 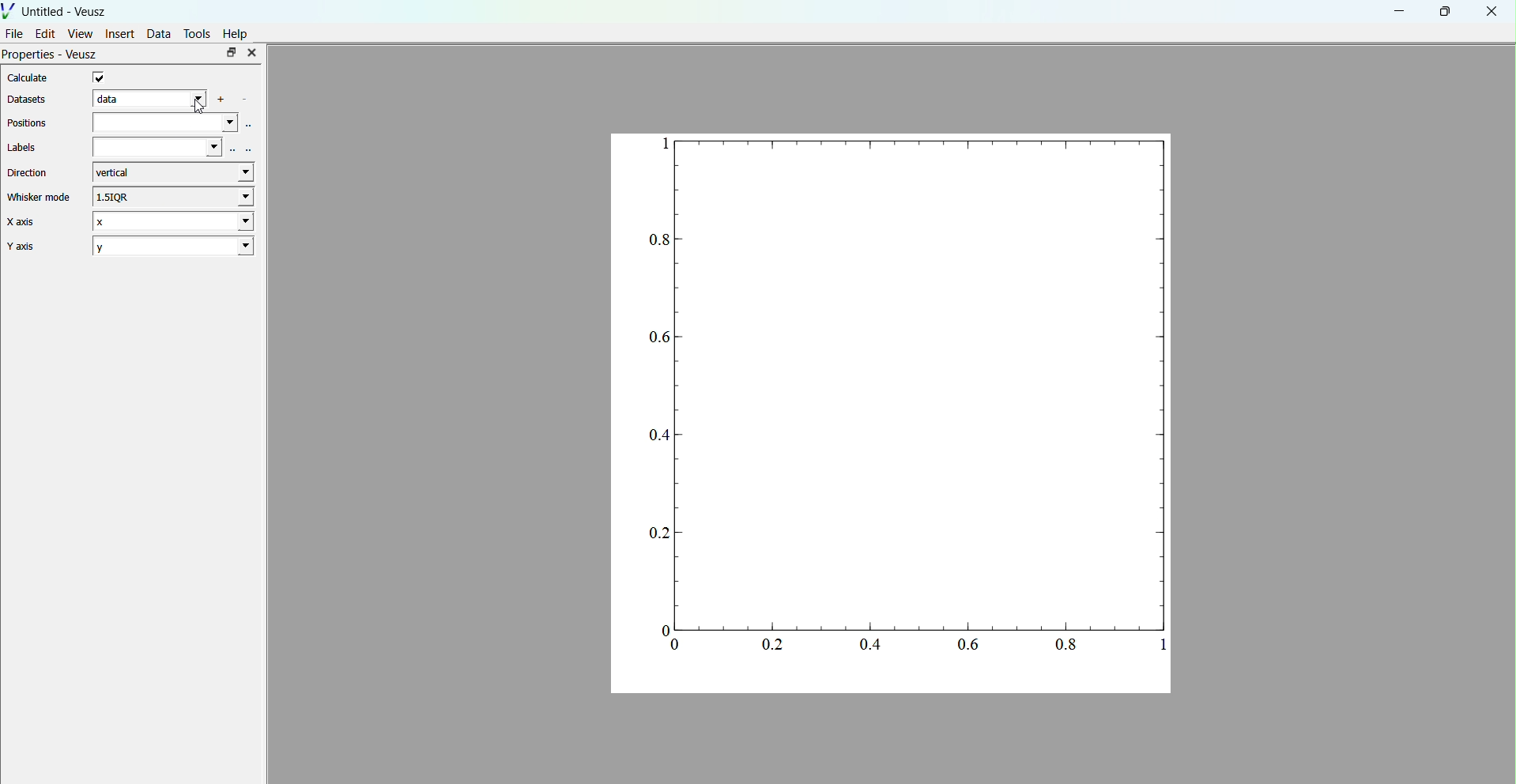 I want to click on X, so click(x=172, y=220).